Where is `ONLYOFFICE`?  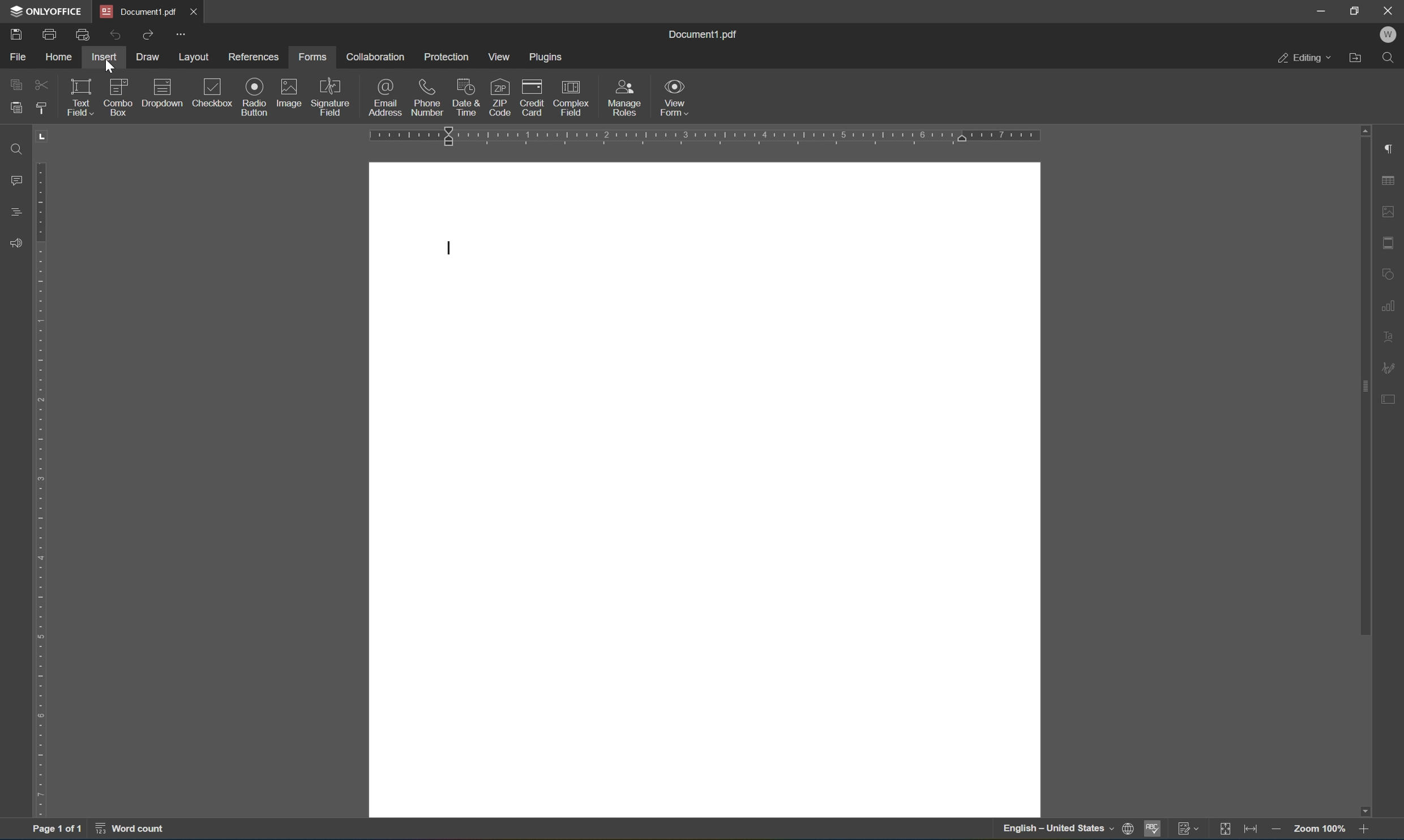 ONLYOFFICE is located at coordinates (46, 12).